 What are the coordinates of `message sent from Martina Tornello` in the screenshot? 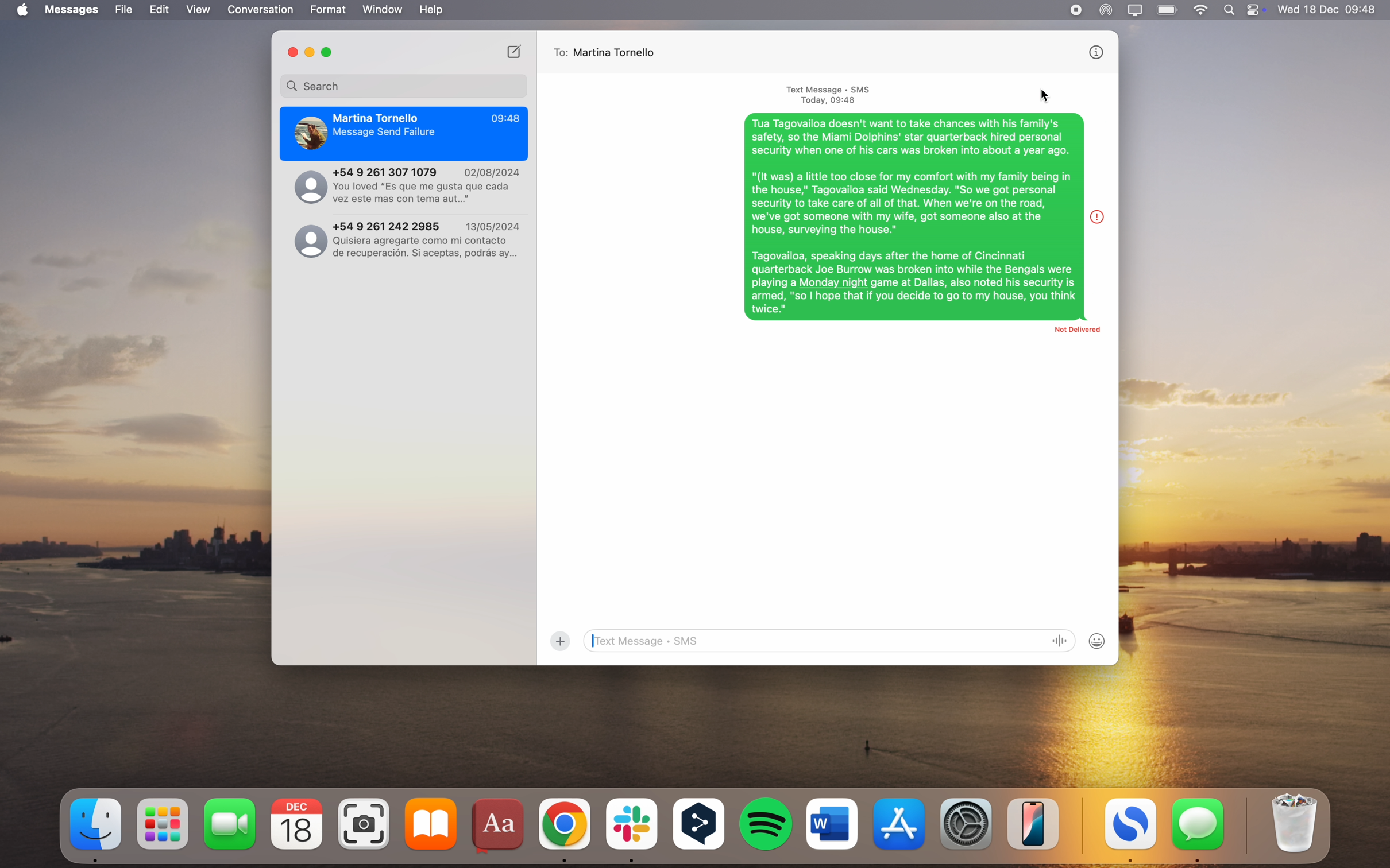 It's located at (404, 134).